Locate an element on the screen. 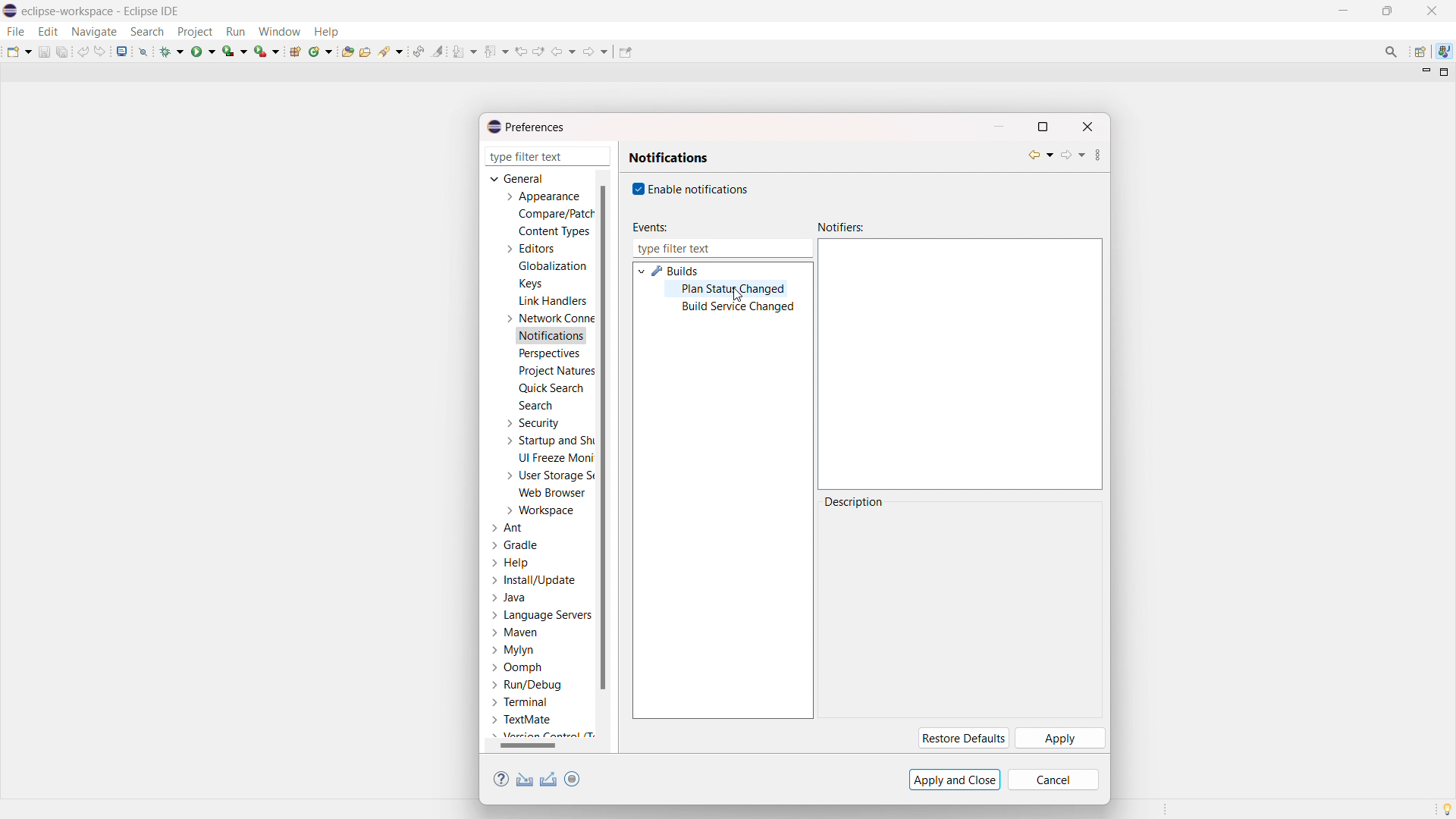 Image resolution: width=1456 pixels, height=819 pixels. globalization is located at coordinates (554, 265).